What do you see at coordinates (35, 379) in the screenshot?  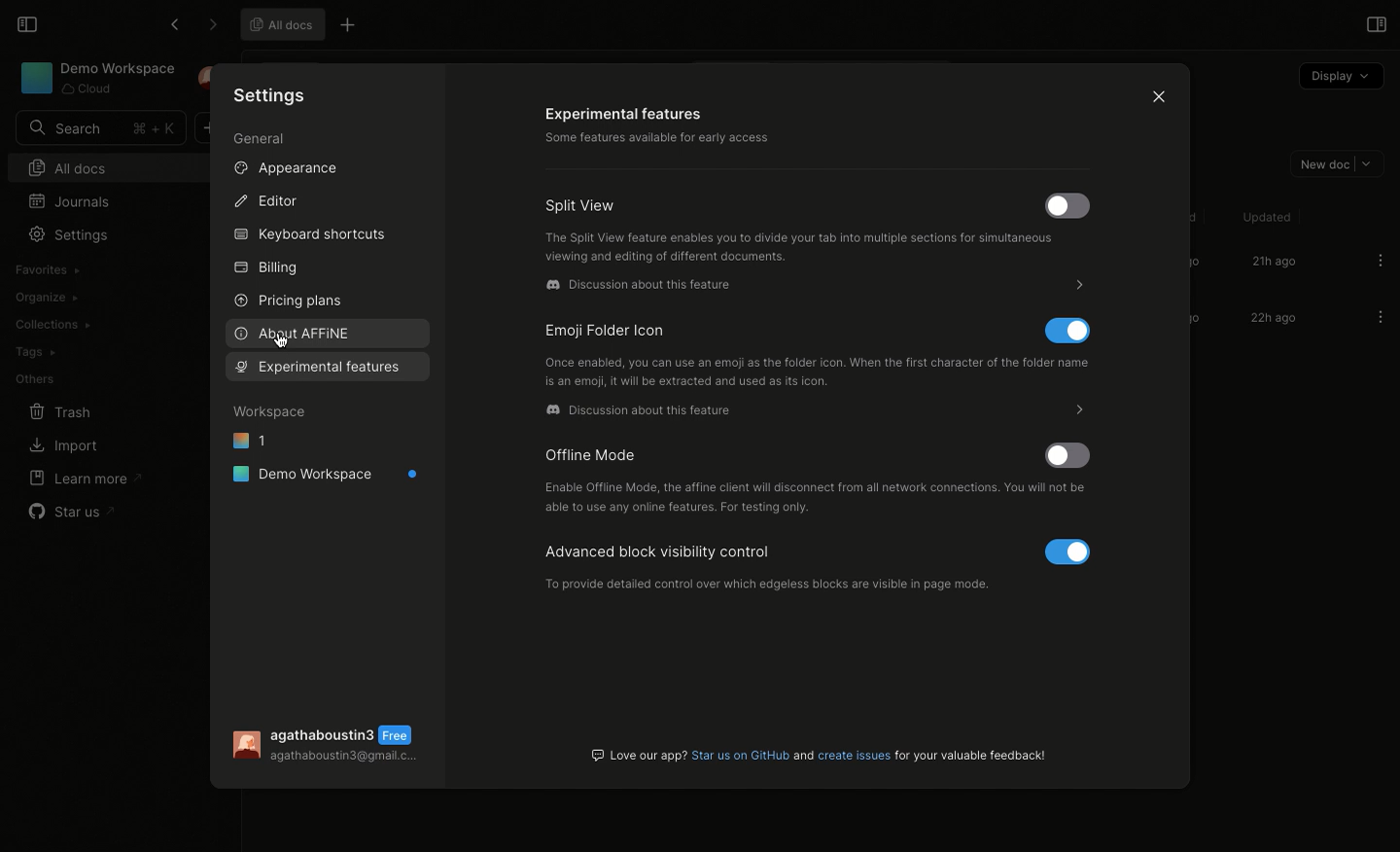 I see `Others` at bounding box center [35, 379].